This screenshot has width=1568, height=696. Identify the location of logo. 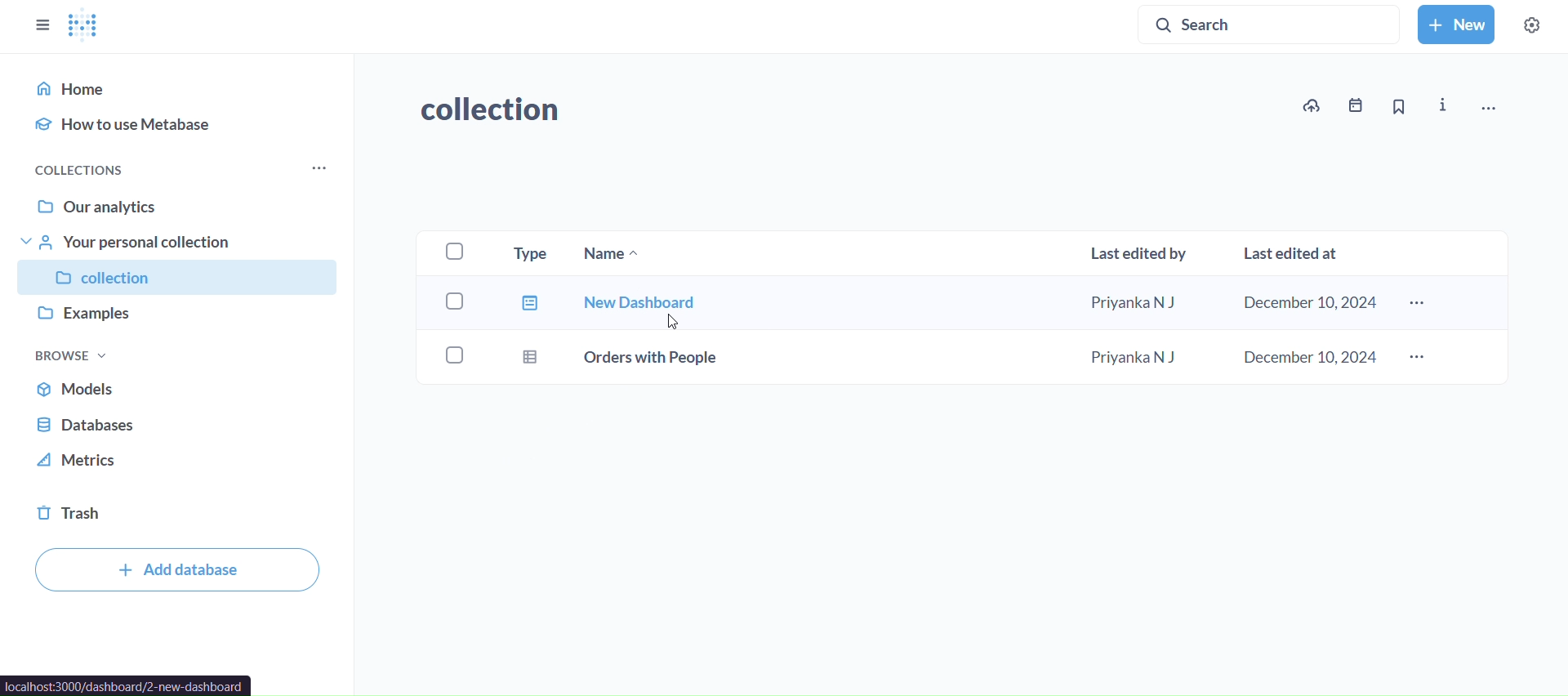
(89, 28).